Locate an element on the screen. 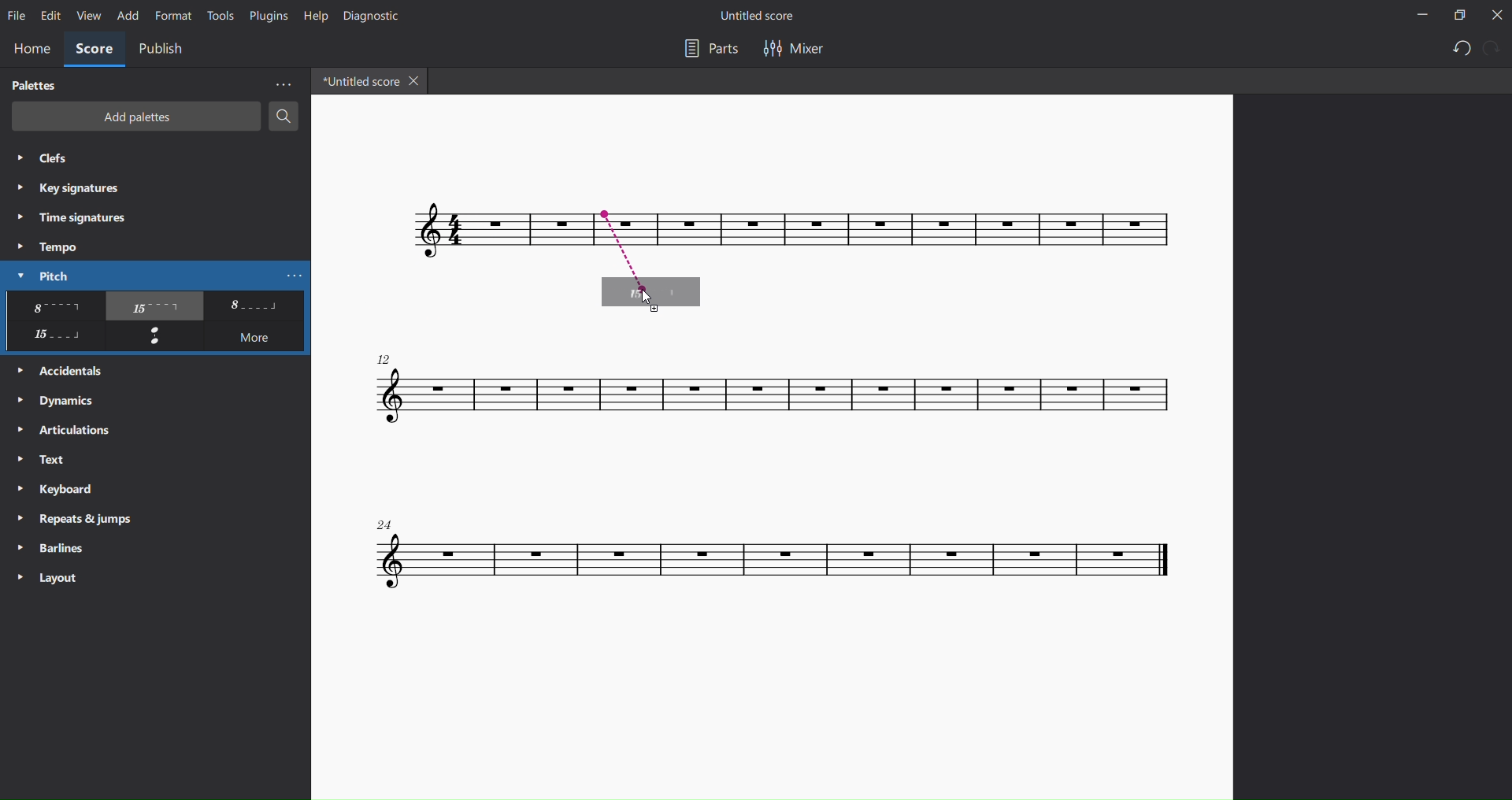 The image size is (1512, 800). key signatures is located at coordinates (70, 187).